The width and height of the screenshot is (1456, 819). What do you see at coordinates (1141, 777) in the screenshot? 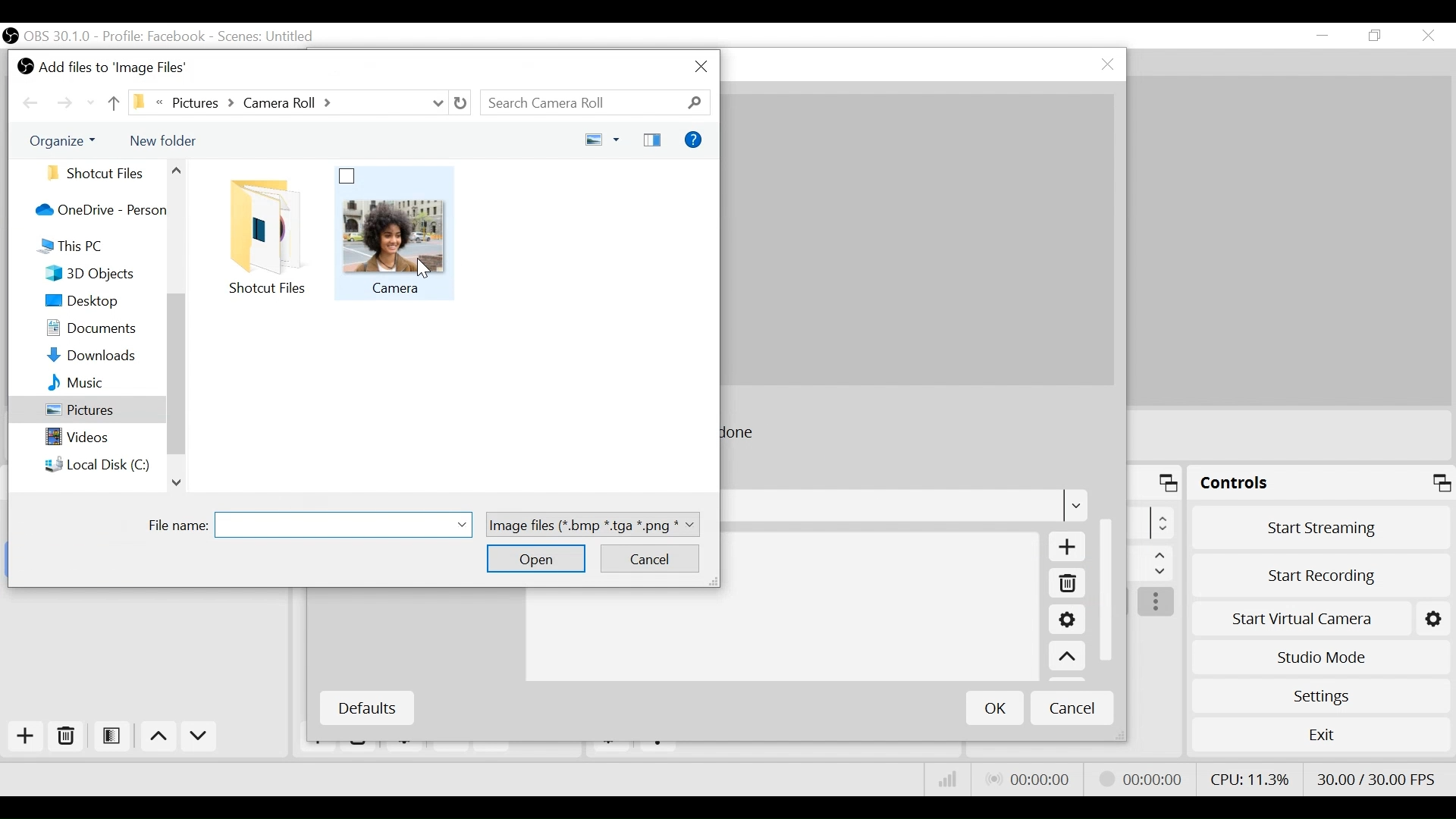
I see `Stream Status` at bounding box center [1141, 777].